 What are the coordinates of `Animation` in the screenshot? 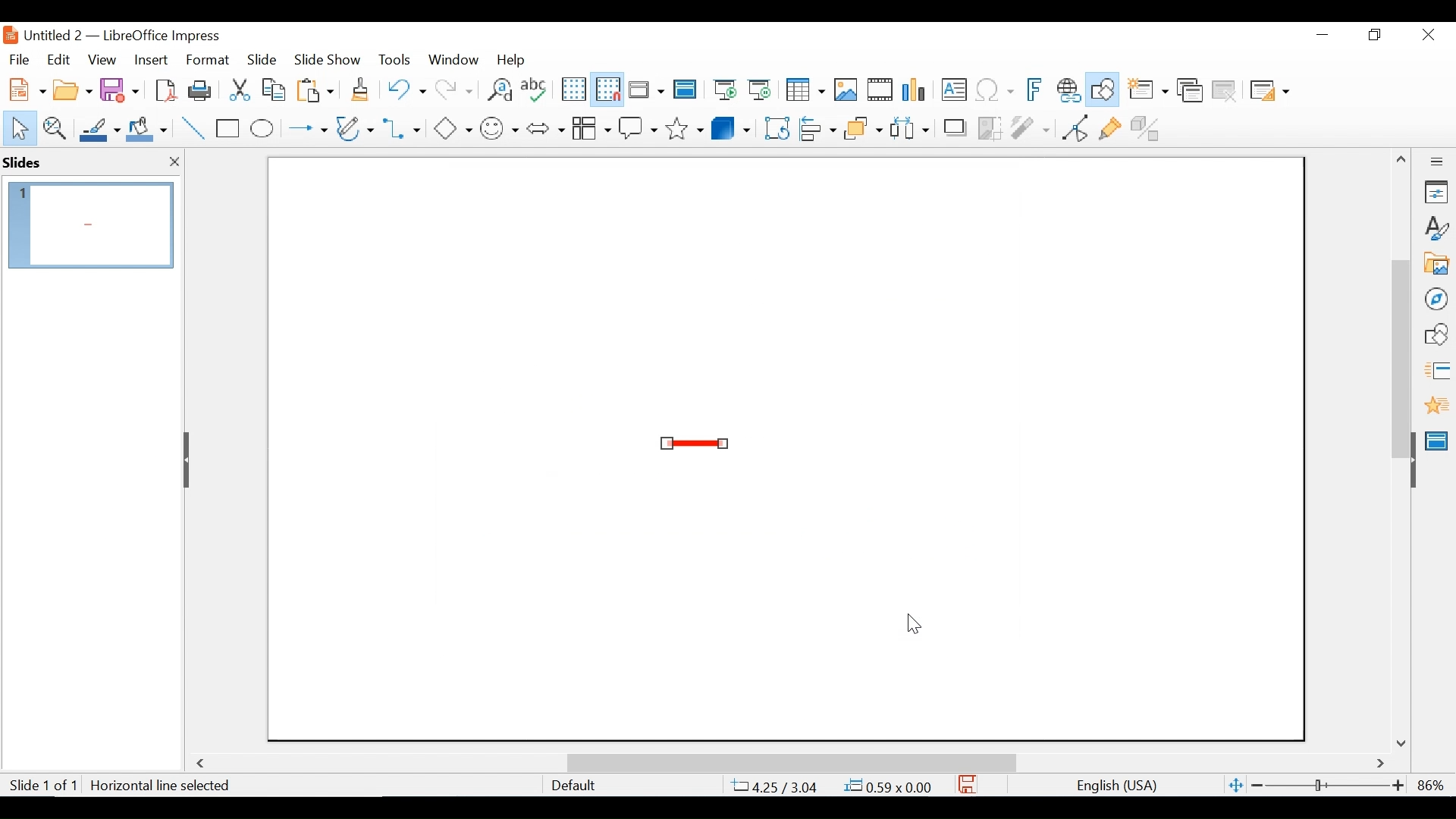 It's located at (1437, 405).